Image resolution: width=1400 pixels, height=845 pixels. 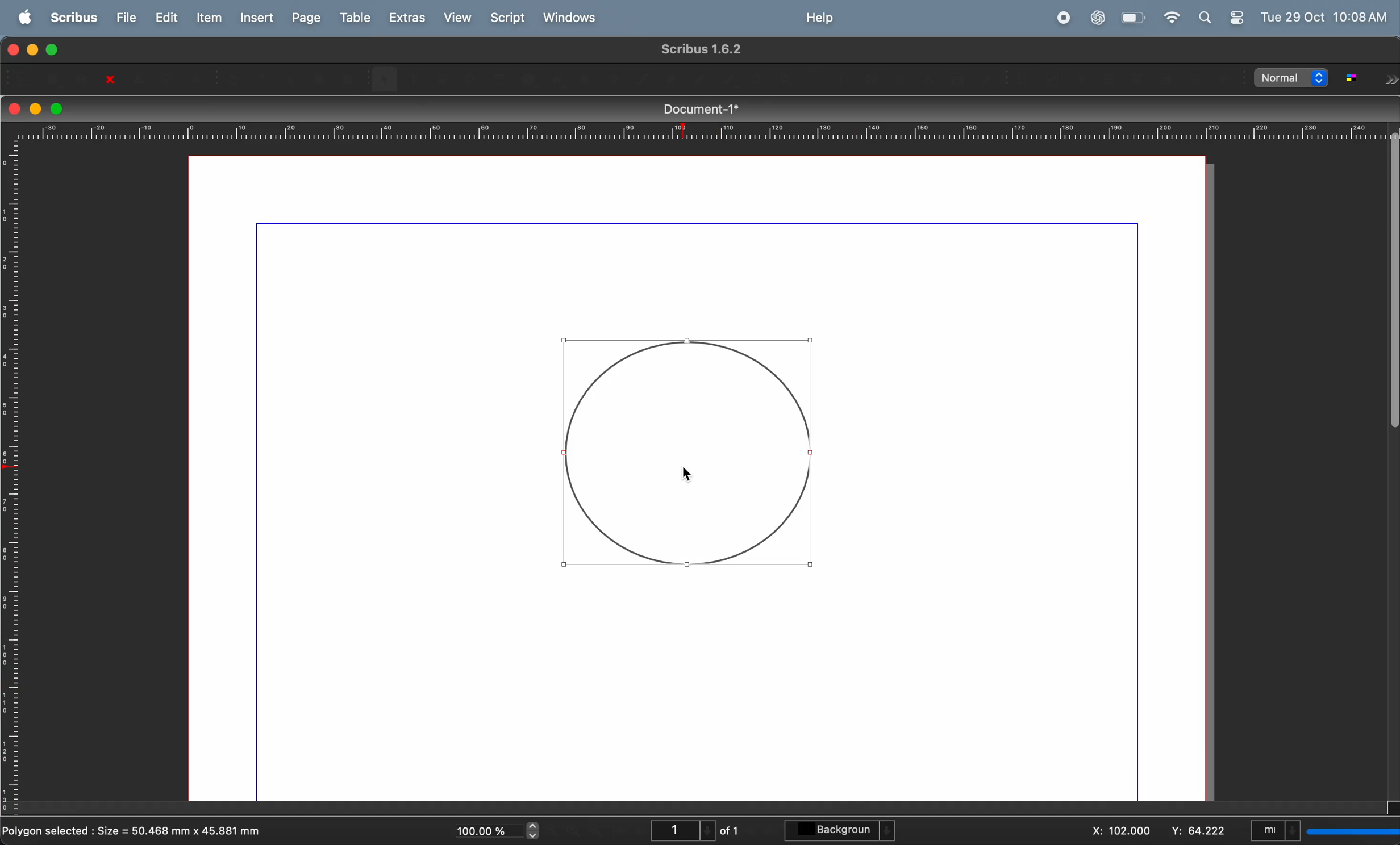 What do you see at coordinates (105, 80) in the screenshot?
I see `close` at bounding box center [105, 80].